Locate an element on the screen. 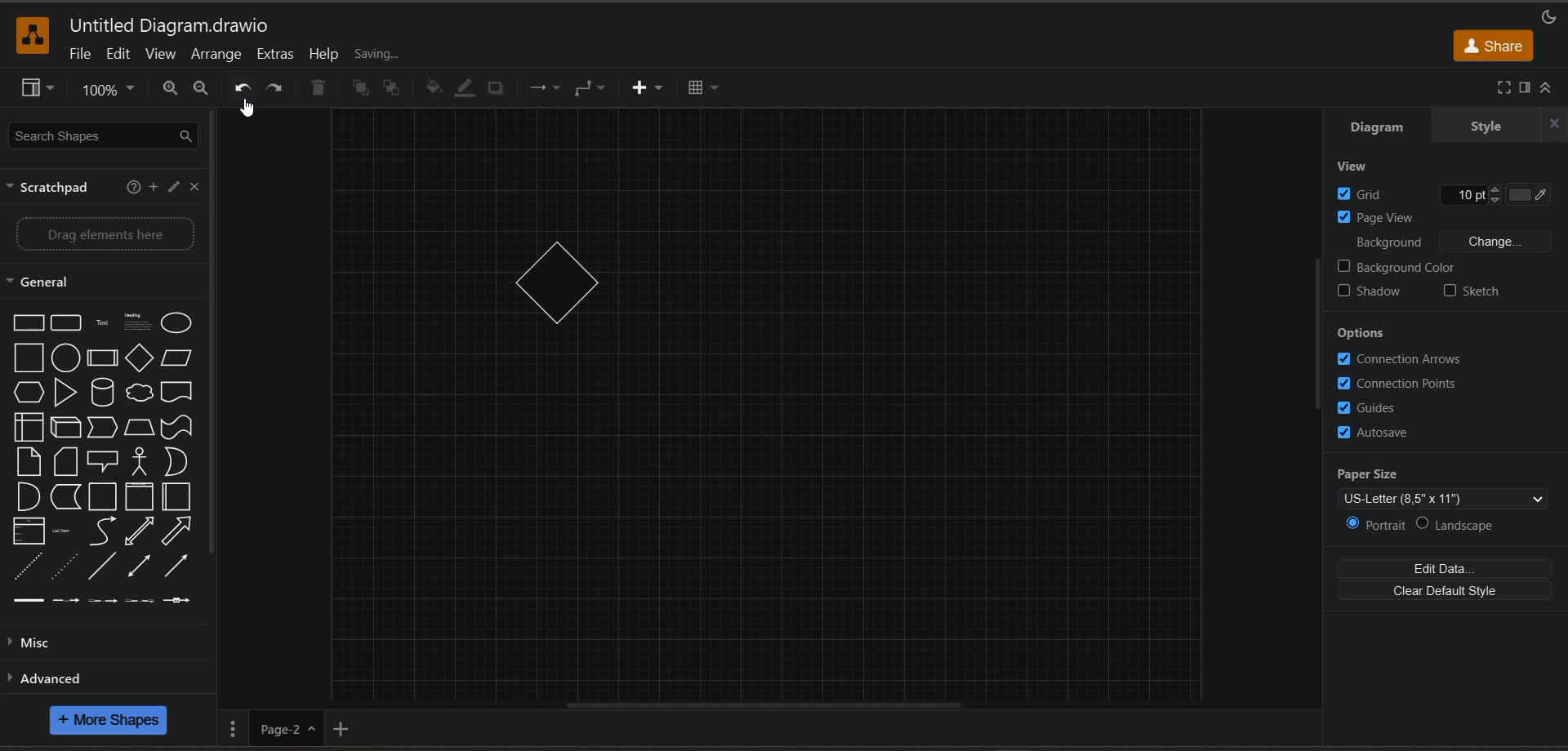  view is located at coordinates (1366, 167).